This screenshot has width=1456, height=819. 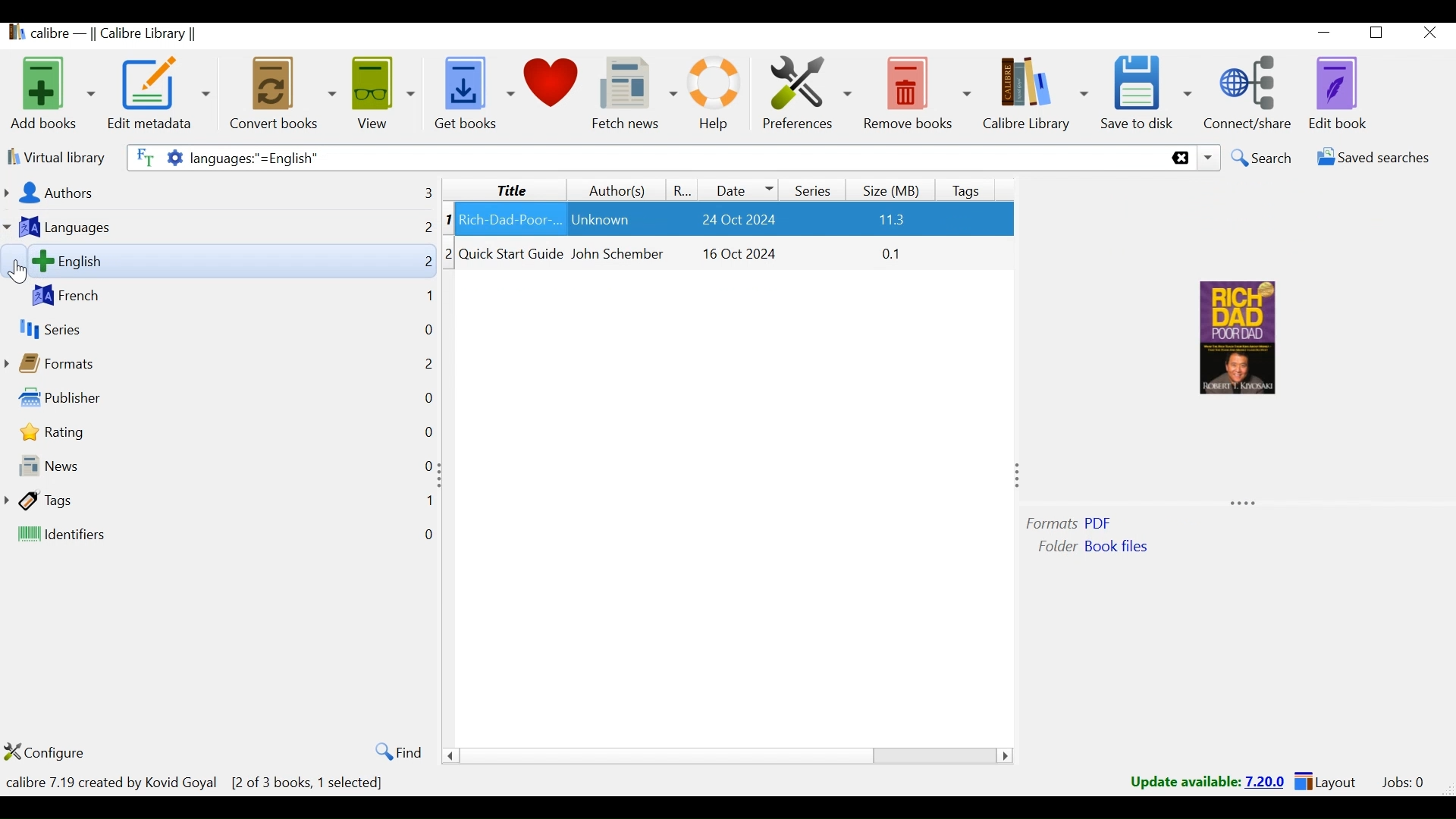 What do you see at coordinates (1325, 783) in the screenshot?
I see `Layout` at bounding box center [1325, 783].